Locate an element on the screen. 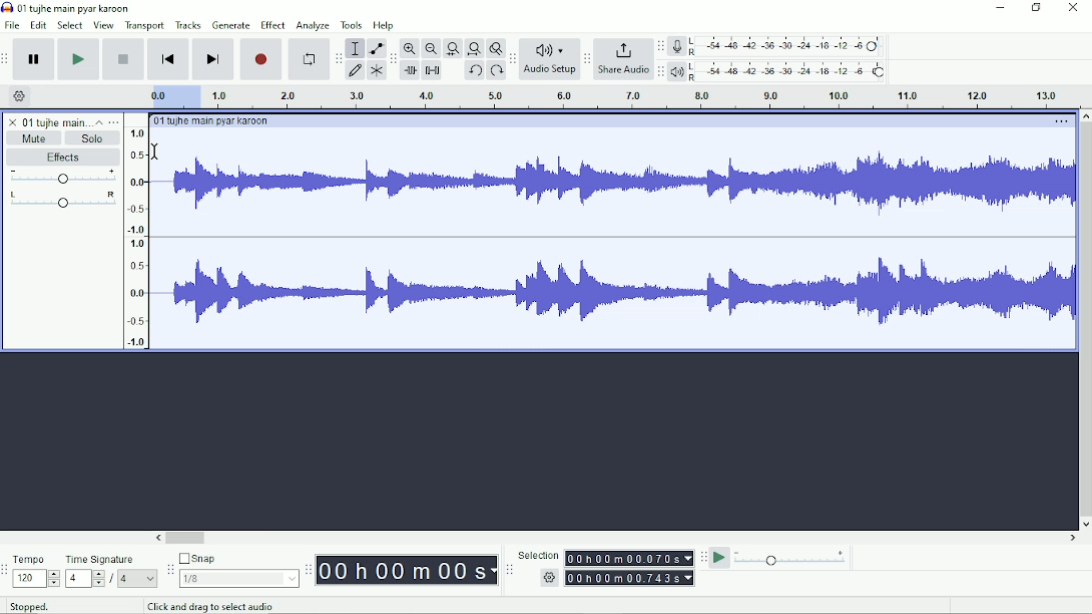 Image resolution: width=1092 pixels, height=614 pixels. Audacity playback meter toolbar is located at coordinates (660, 71).